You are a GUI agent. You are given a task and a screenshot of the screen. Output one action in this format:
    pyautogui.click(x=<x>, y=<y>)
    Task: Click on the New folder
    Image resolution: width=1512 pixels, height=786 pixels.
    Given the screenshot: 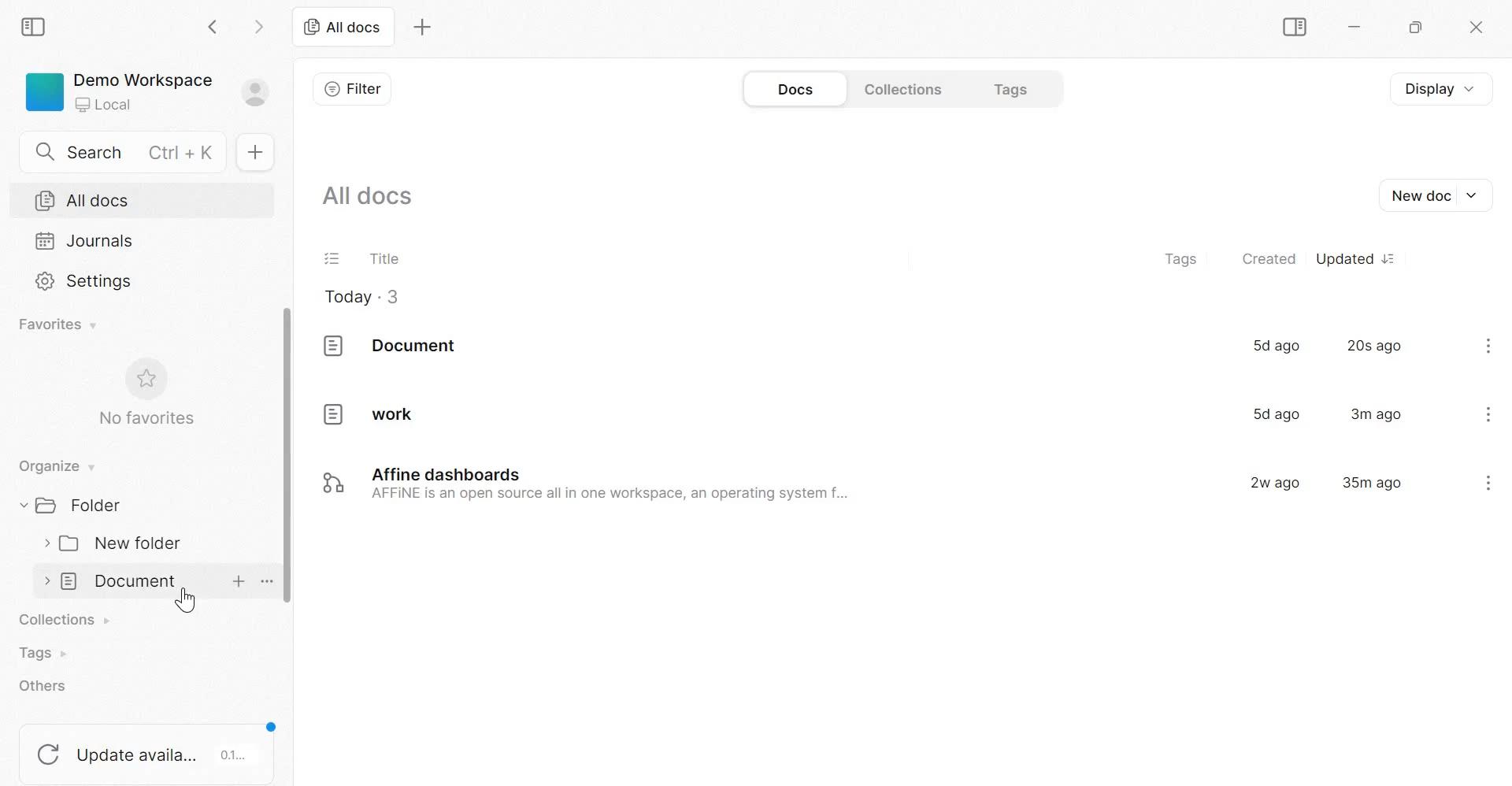 What is the action you would take?
    pyautogui.click(x=128, y=543)
    